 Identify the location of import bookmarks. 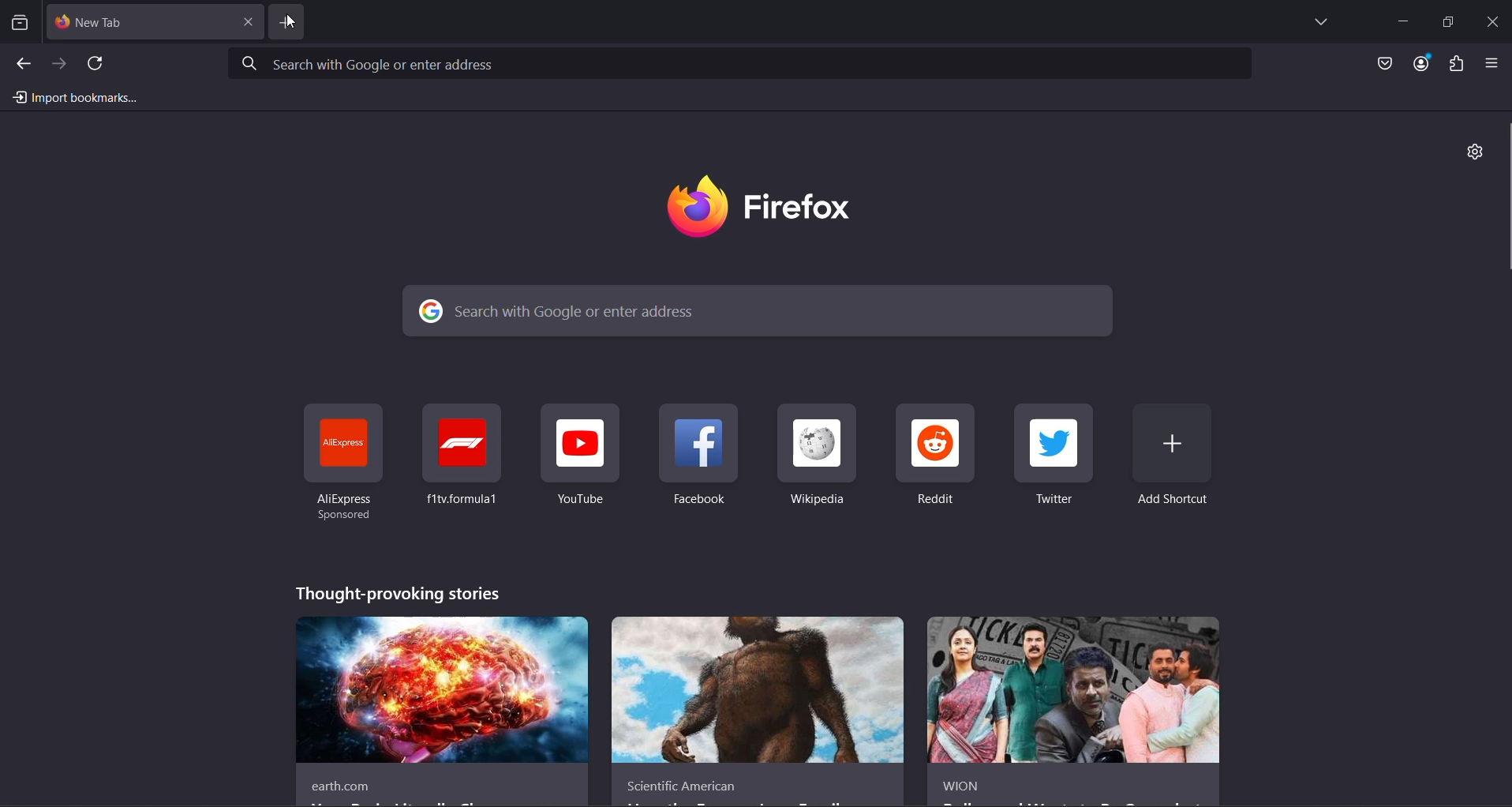
(81, 97).